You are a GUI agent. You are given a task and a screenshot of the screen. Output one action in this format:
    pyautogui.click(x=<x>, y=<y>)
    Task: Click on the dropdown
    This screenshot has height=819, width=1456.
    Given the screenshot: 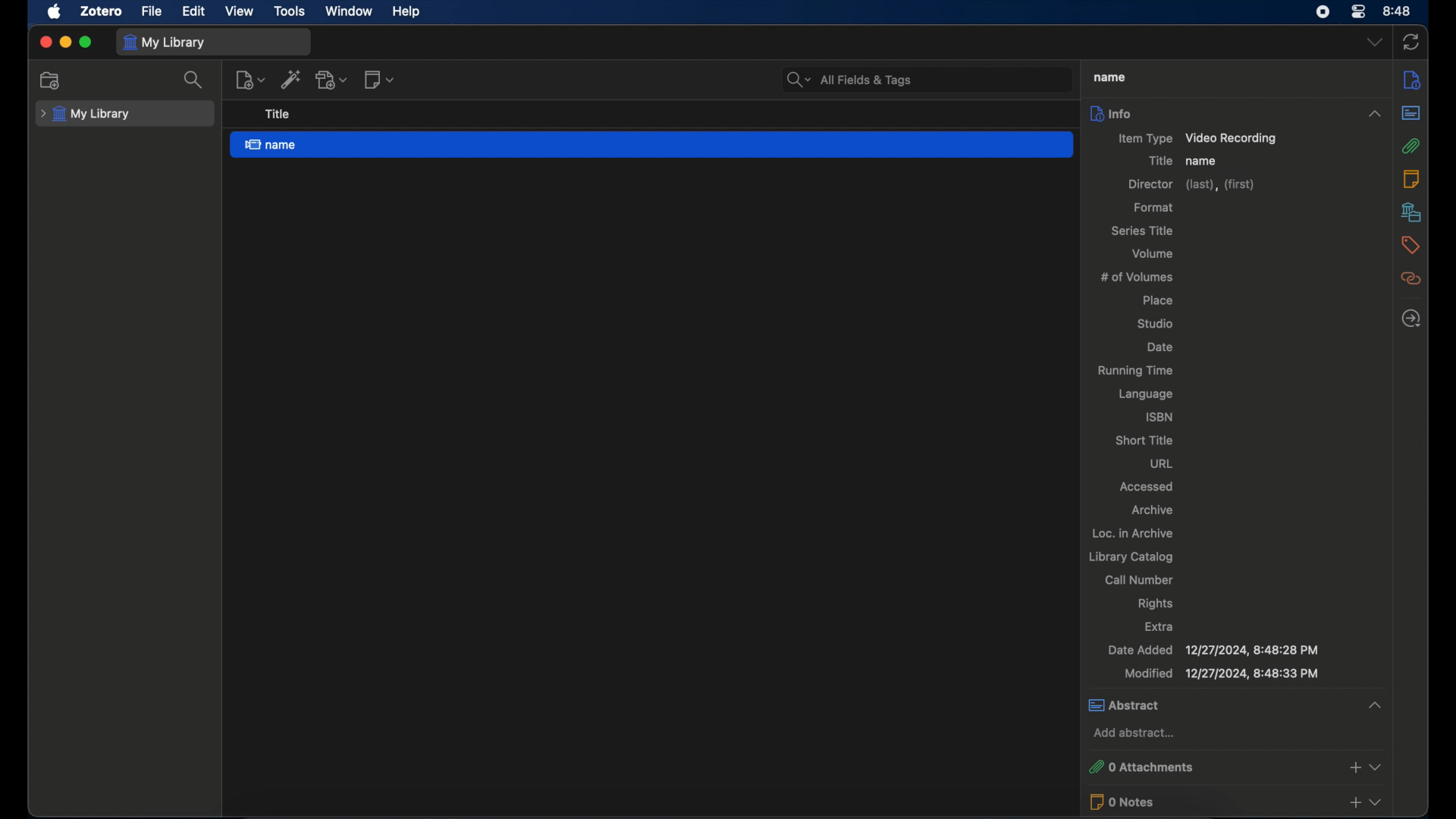 What is the action you would take?
    pyautogui.click(x=1376, y=803)
    